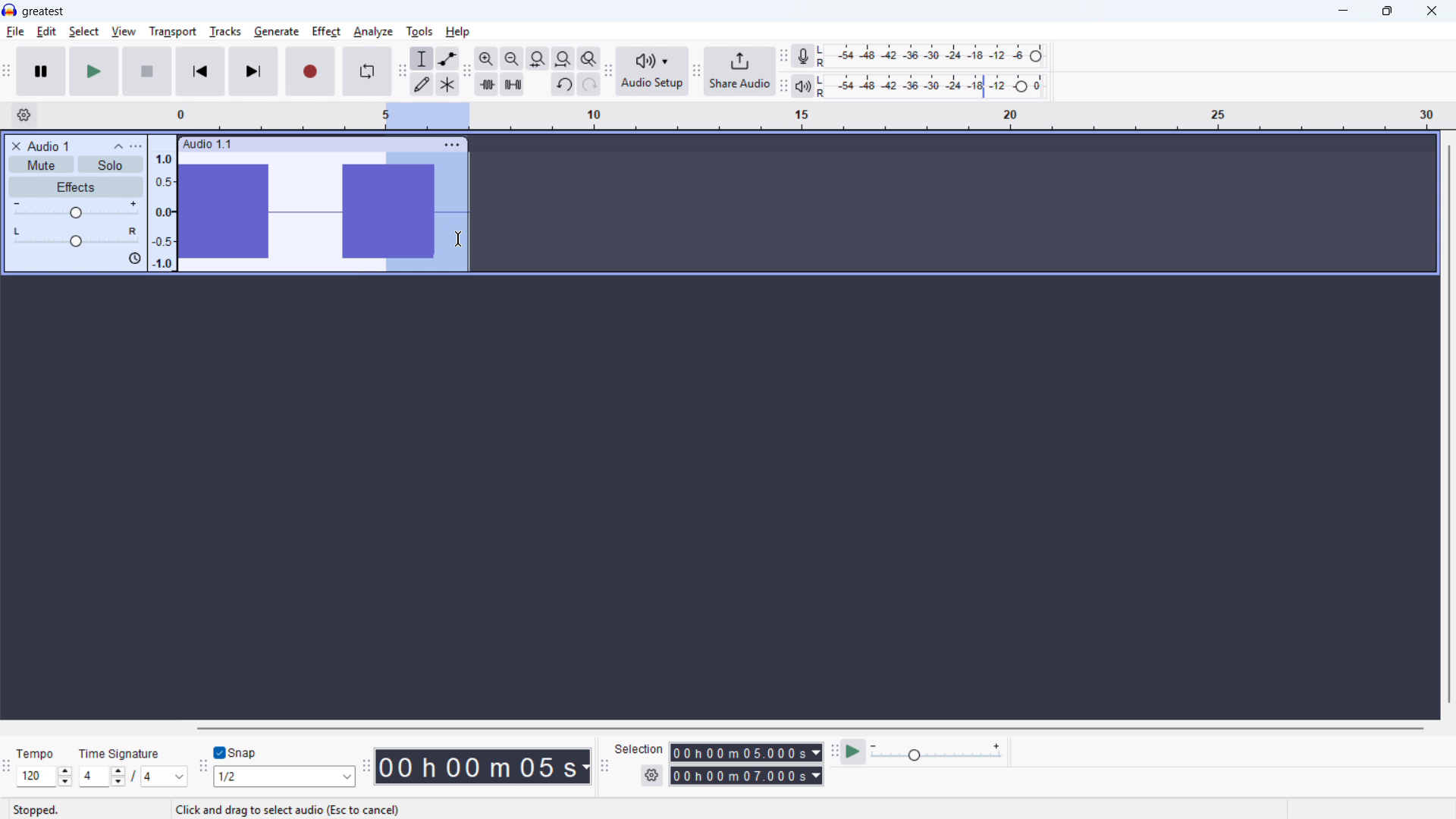  Describe the element at coordinates (447, 85) in the screenshot. I see `Multi tool ` at that location.